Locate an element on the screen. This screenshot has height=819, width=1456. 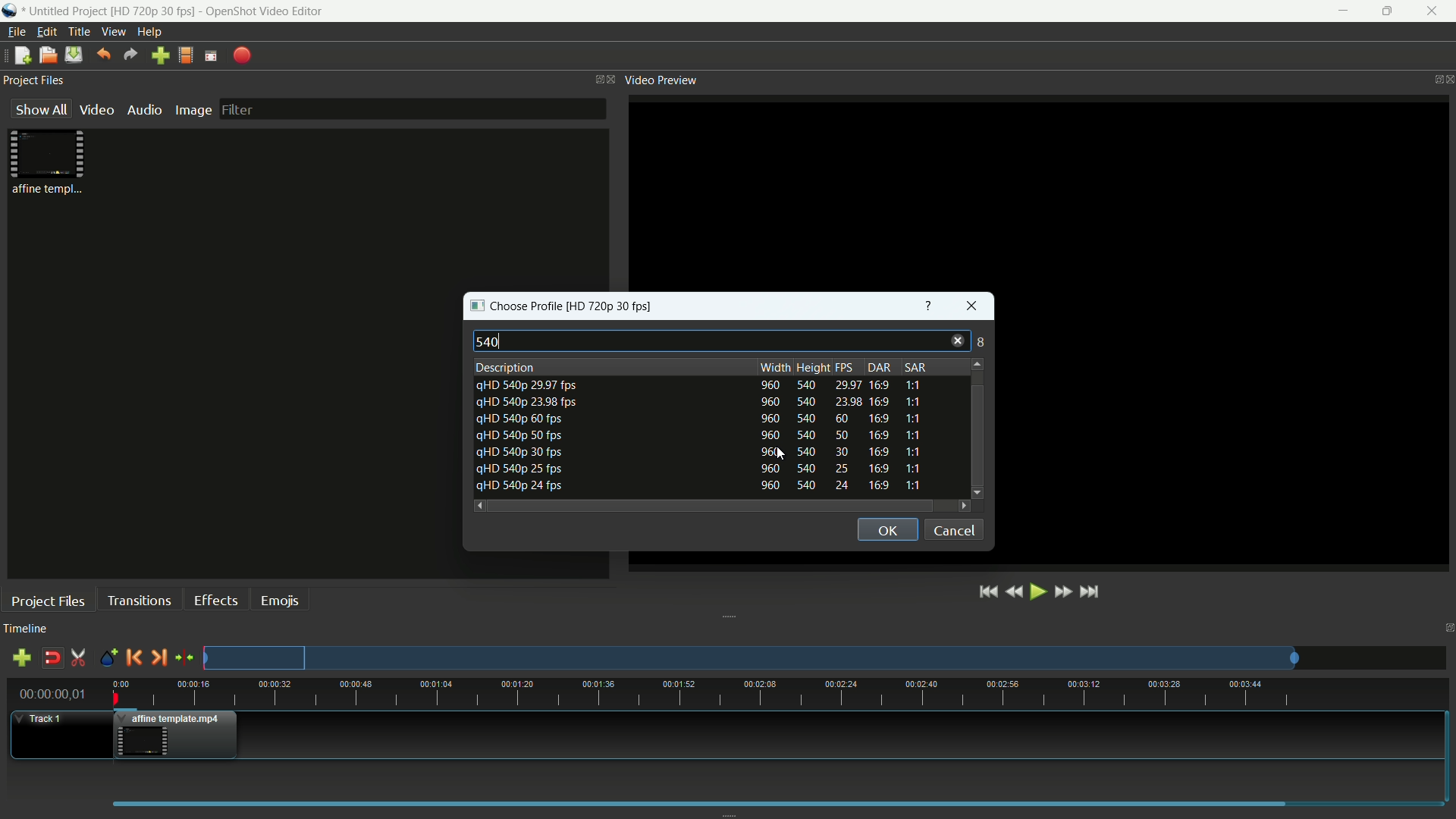
jump to start is located at coordinates (987, 593).